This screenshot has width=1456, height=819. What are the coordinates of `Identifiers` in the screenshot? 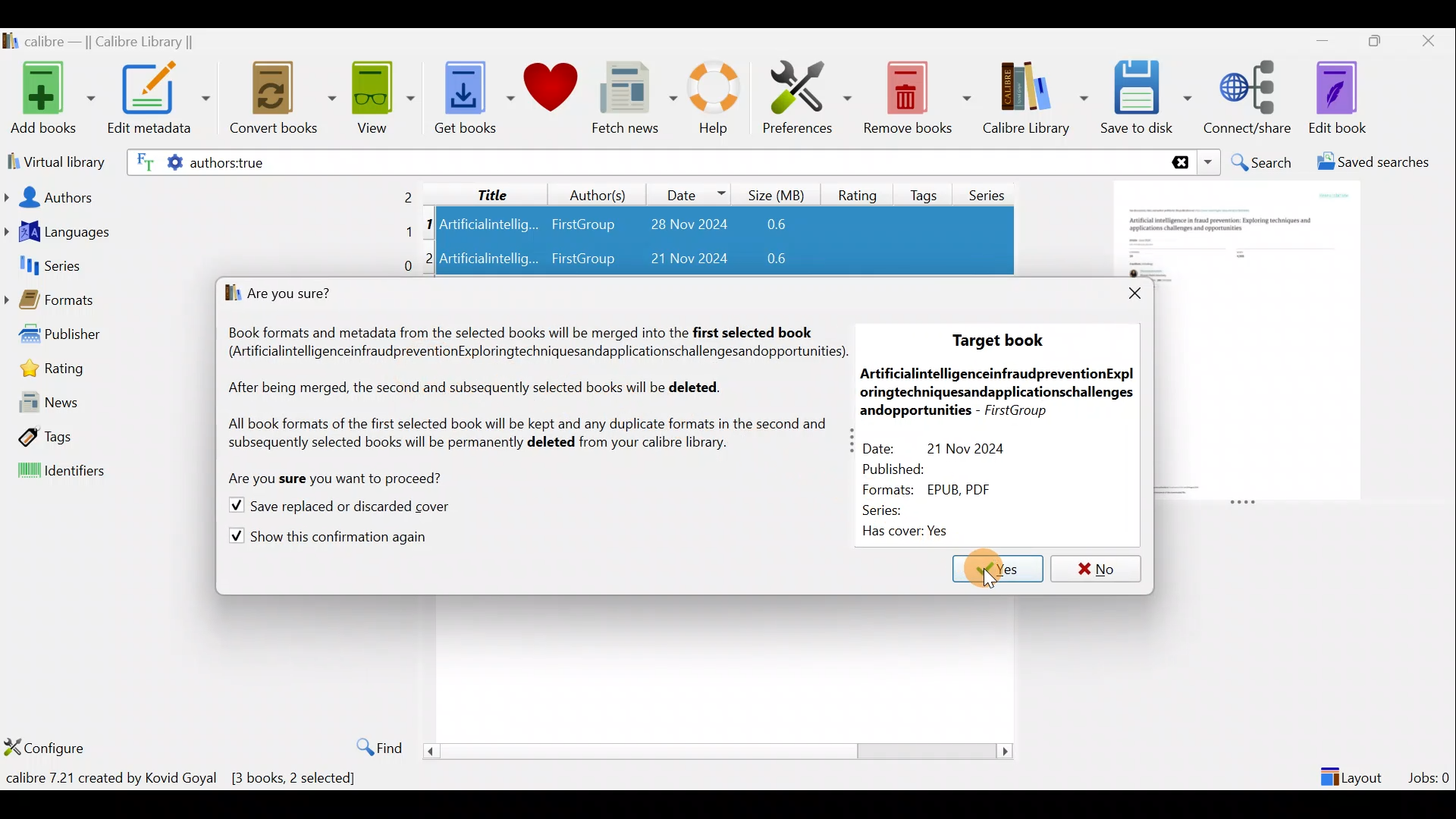 It's located at (105, 471).